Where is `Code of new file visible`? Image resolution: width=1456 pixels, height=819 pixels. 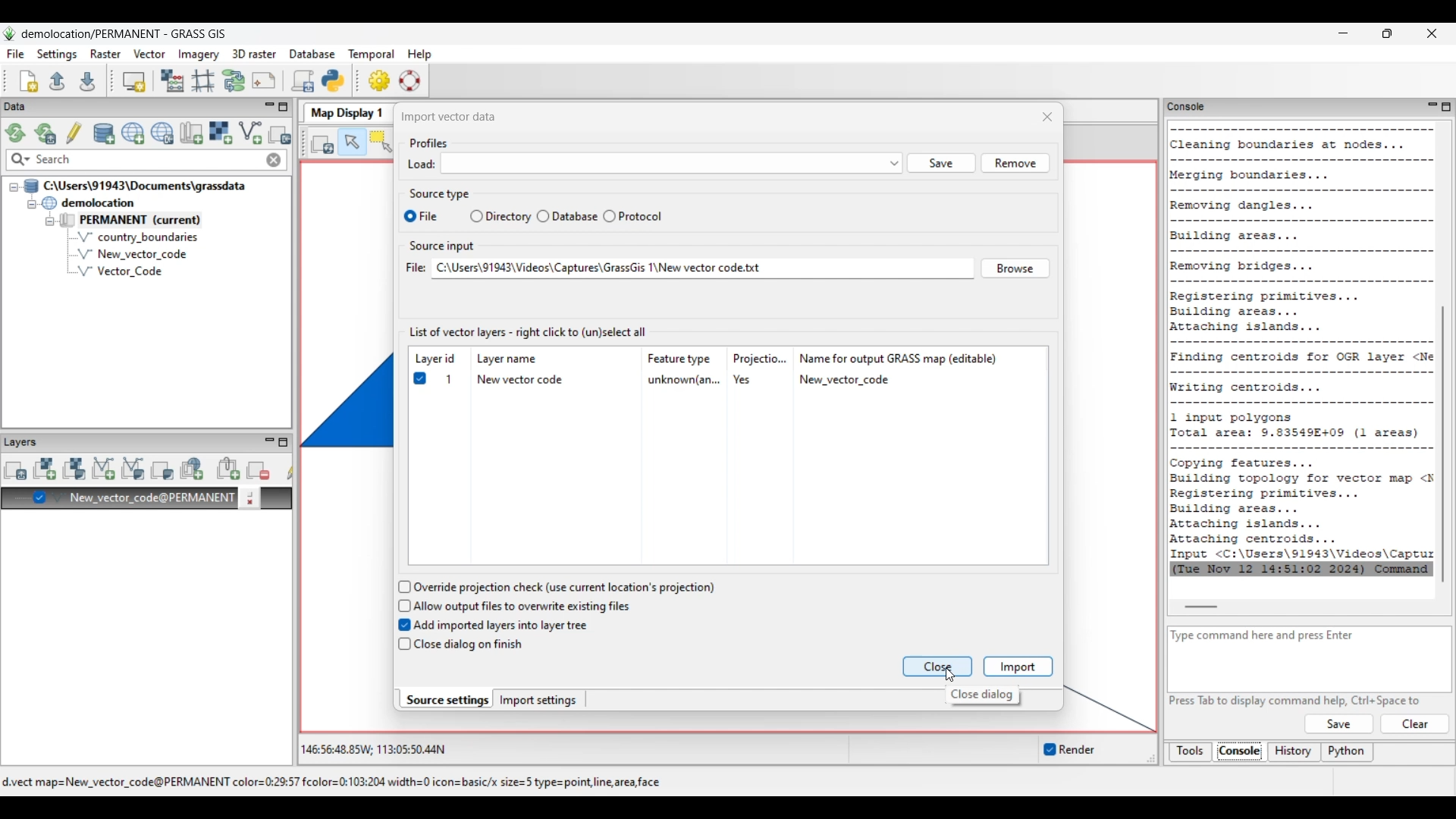 Code of new file visible is located at coordinates (1303, 349).